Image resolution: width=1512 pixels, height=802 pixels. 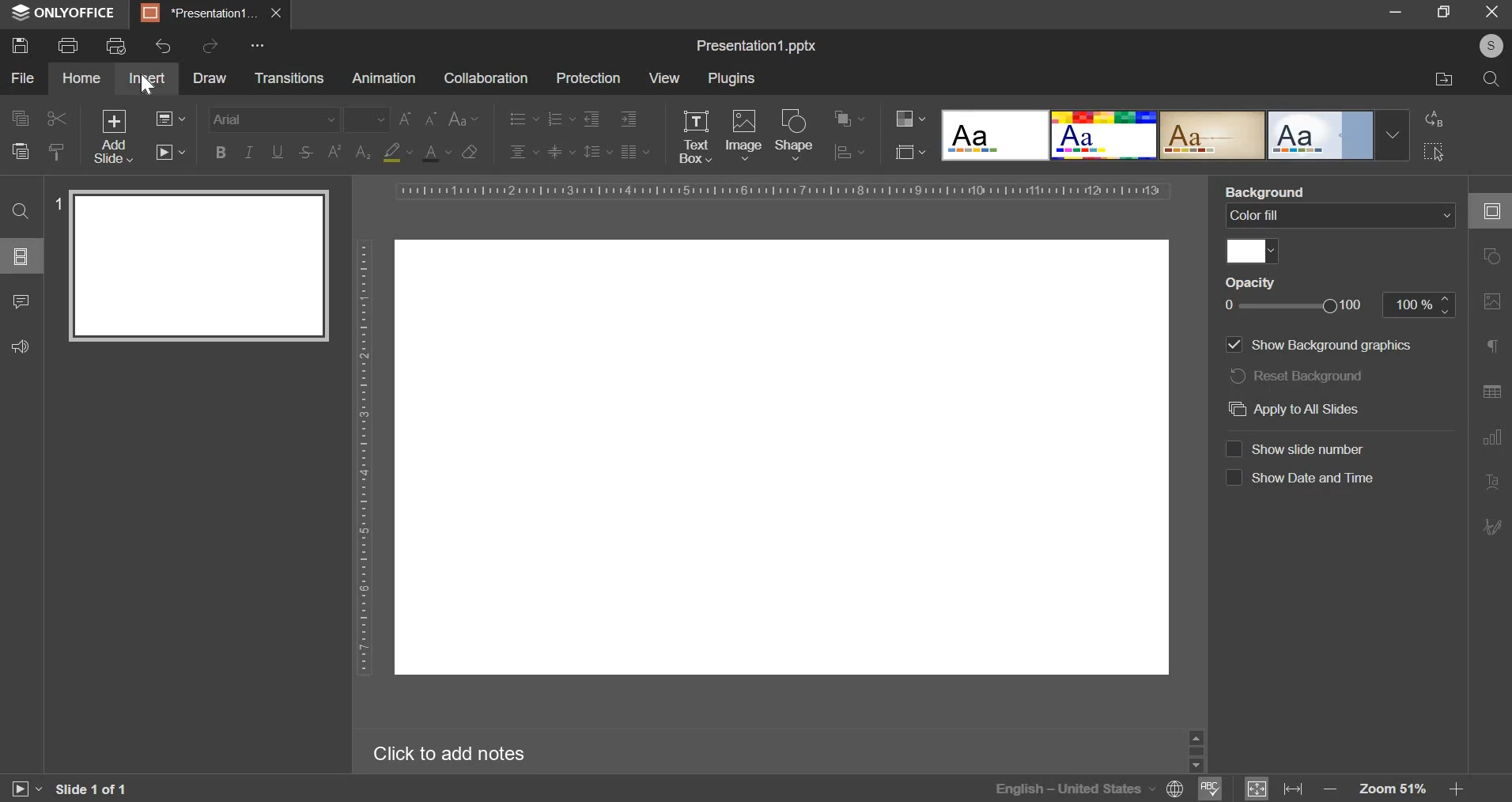 What do you see at coordinates (164, 47) in the screenshot?
I see `undo` at bounding box center [164, 47].